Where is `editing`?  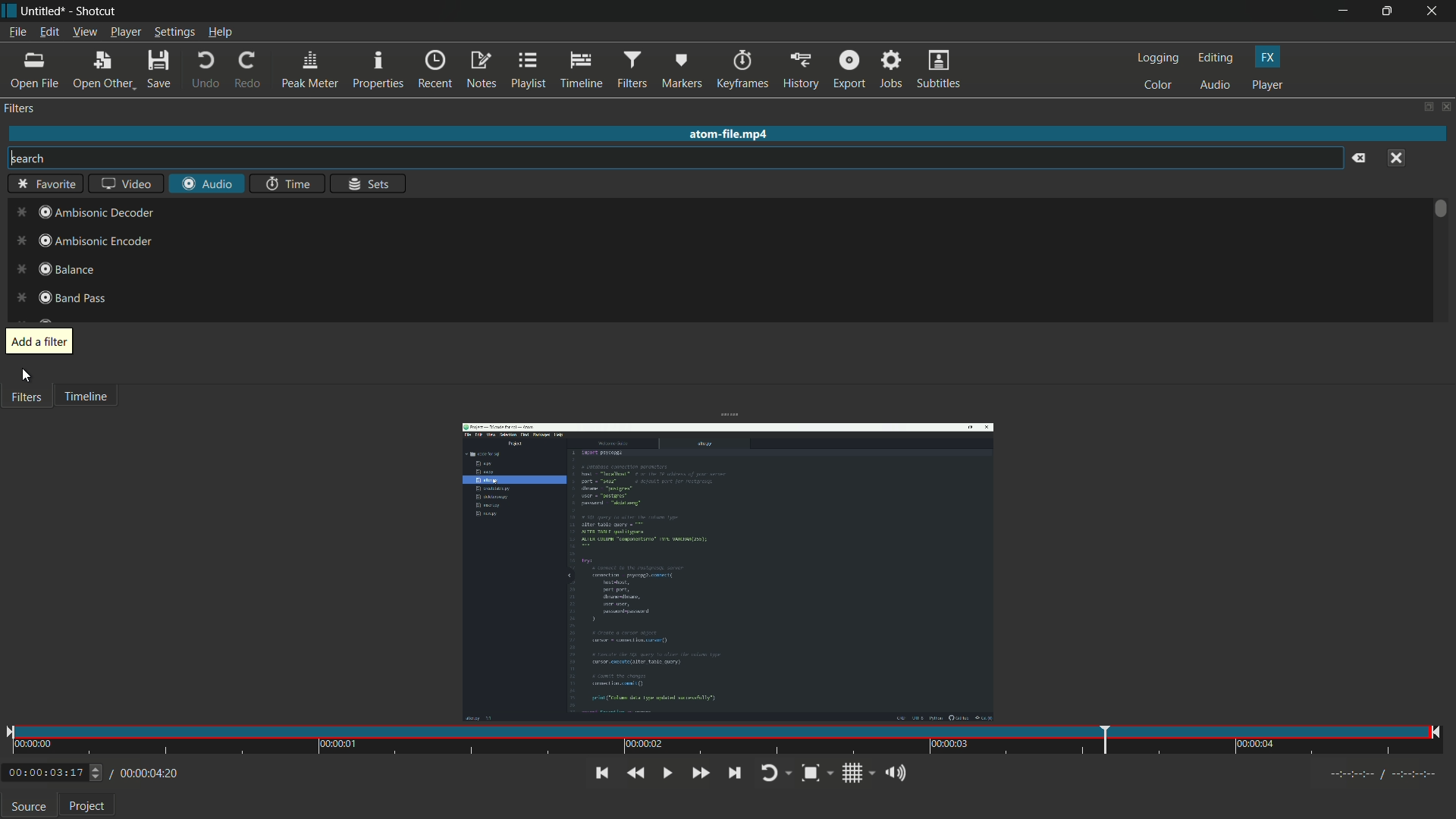 editing is located at coordinates (1216, 59).